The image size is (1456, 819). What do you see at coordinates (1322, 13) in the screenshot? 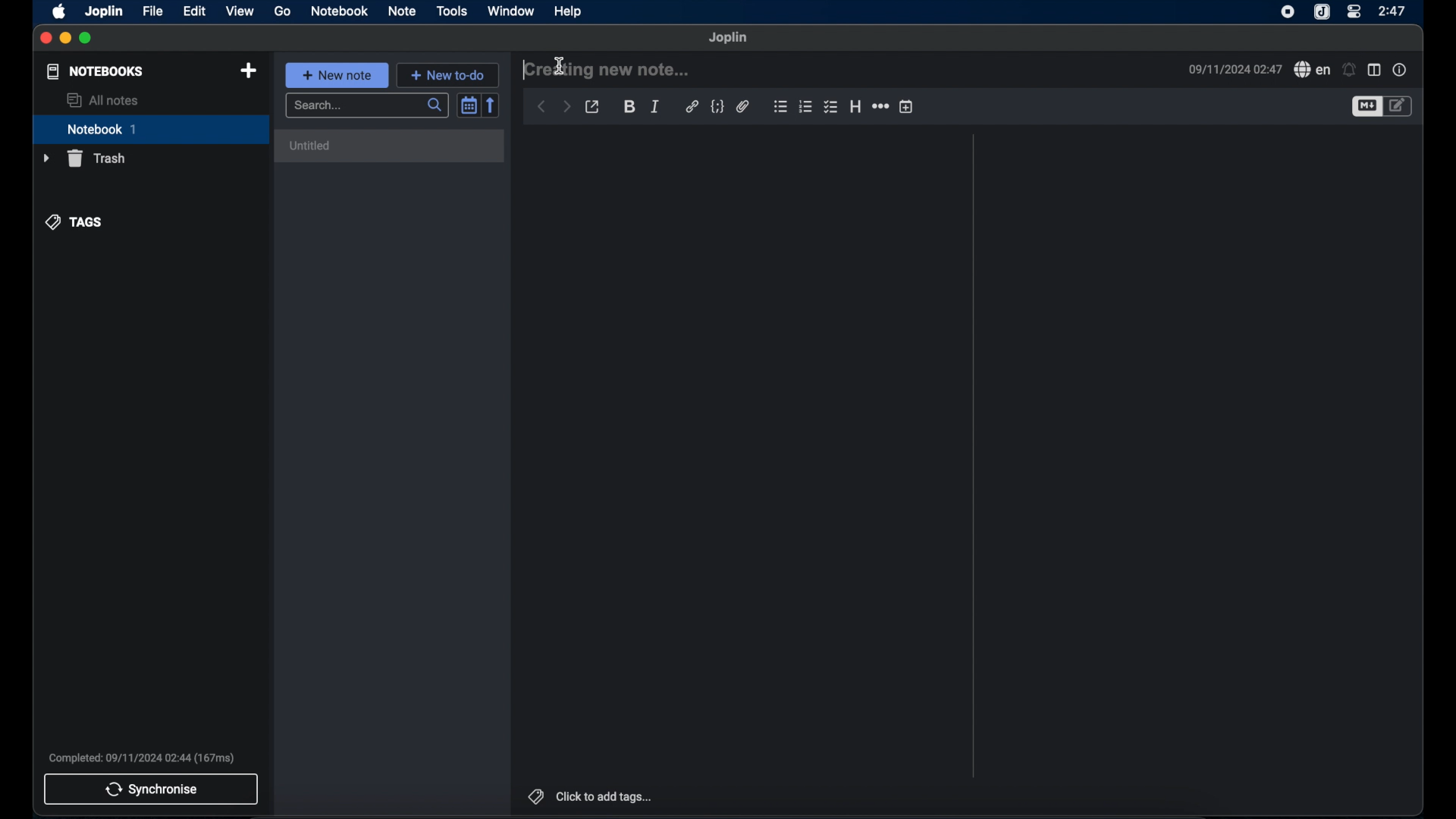
I see `joplin icon` at bounding box center [1322, 13].